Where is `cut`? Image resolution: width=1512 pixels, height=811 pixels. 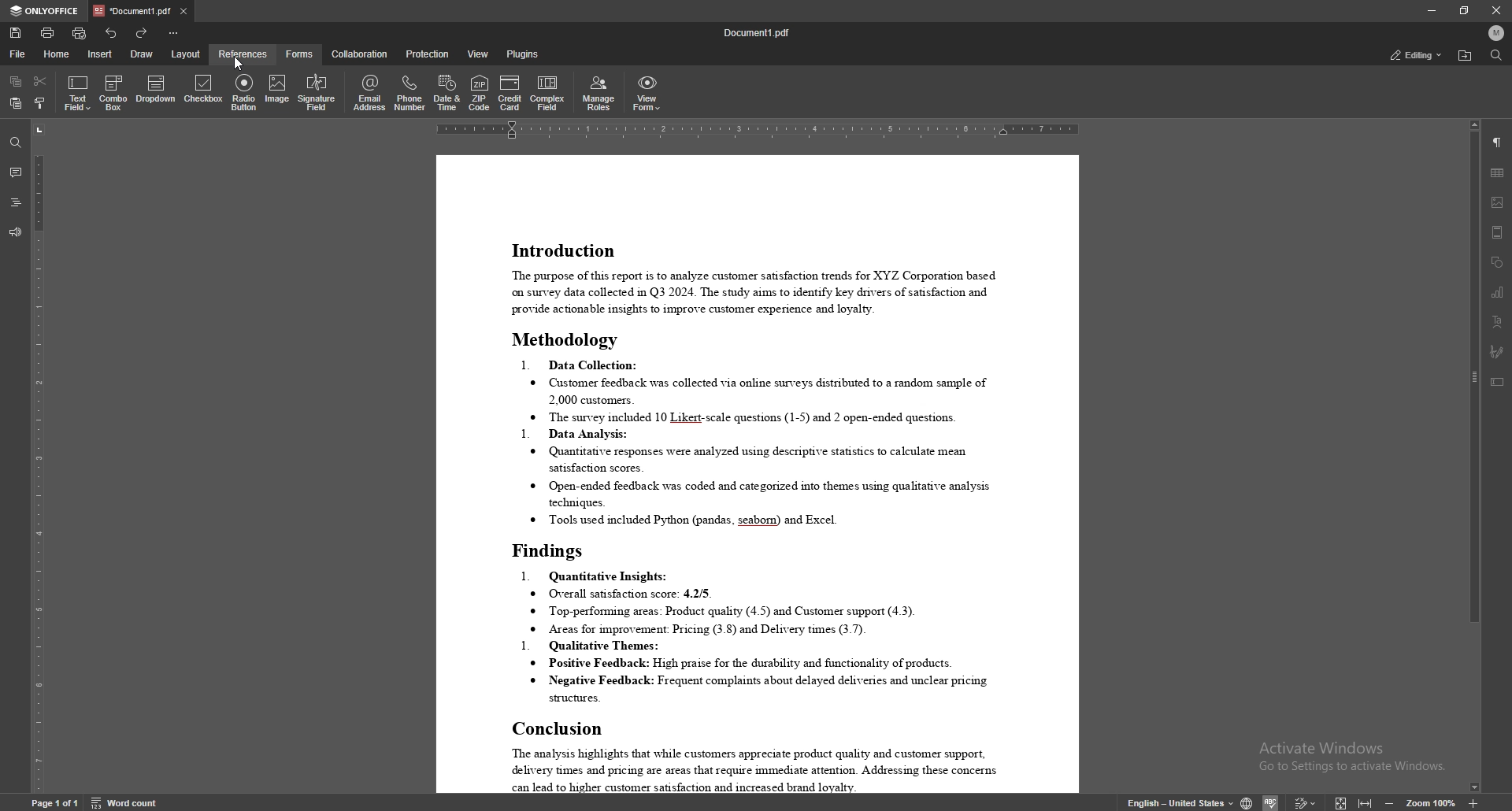 cut is located at coordinates (42, 82).